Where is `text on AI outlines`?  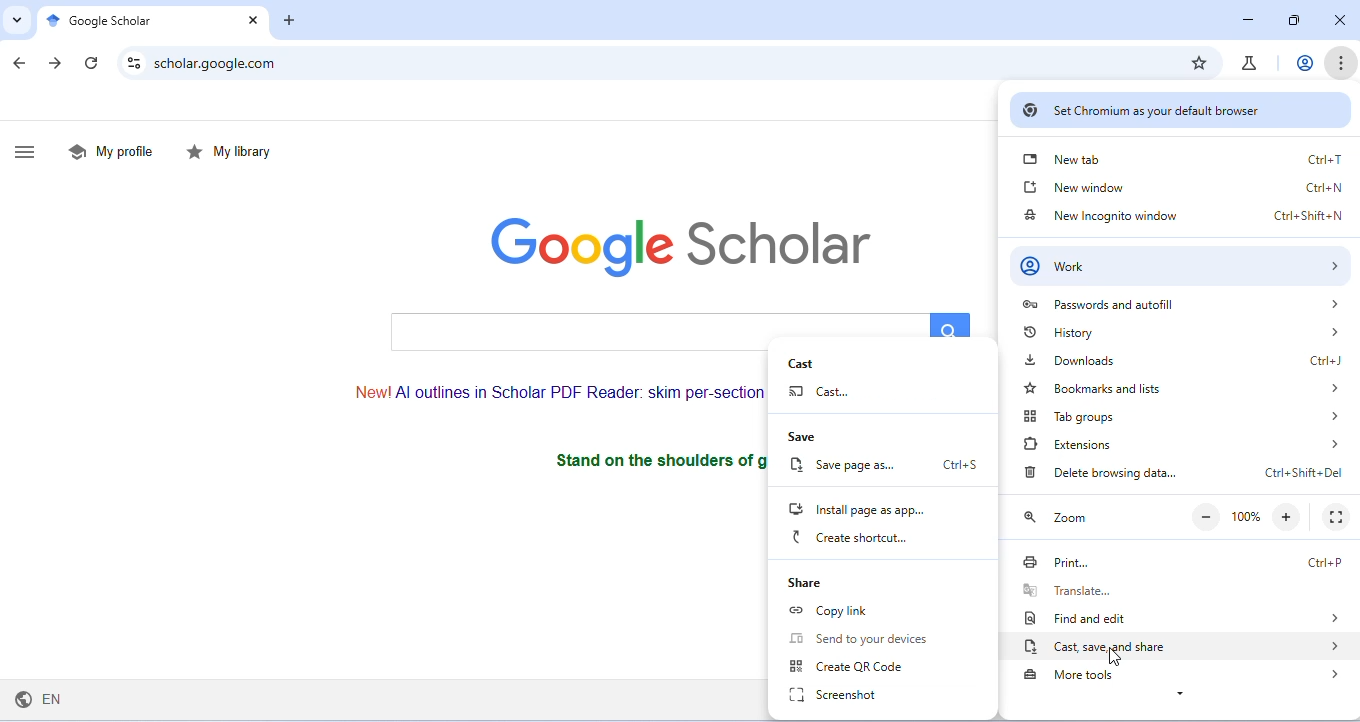
text on AI outlines is located at coordinates (544, 390).